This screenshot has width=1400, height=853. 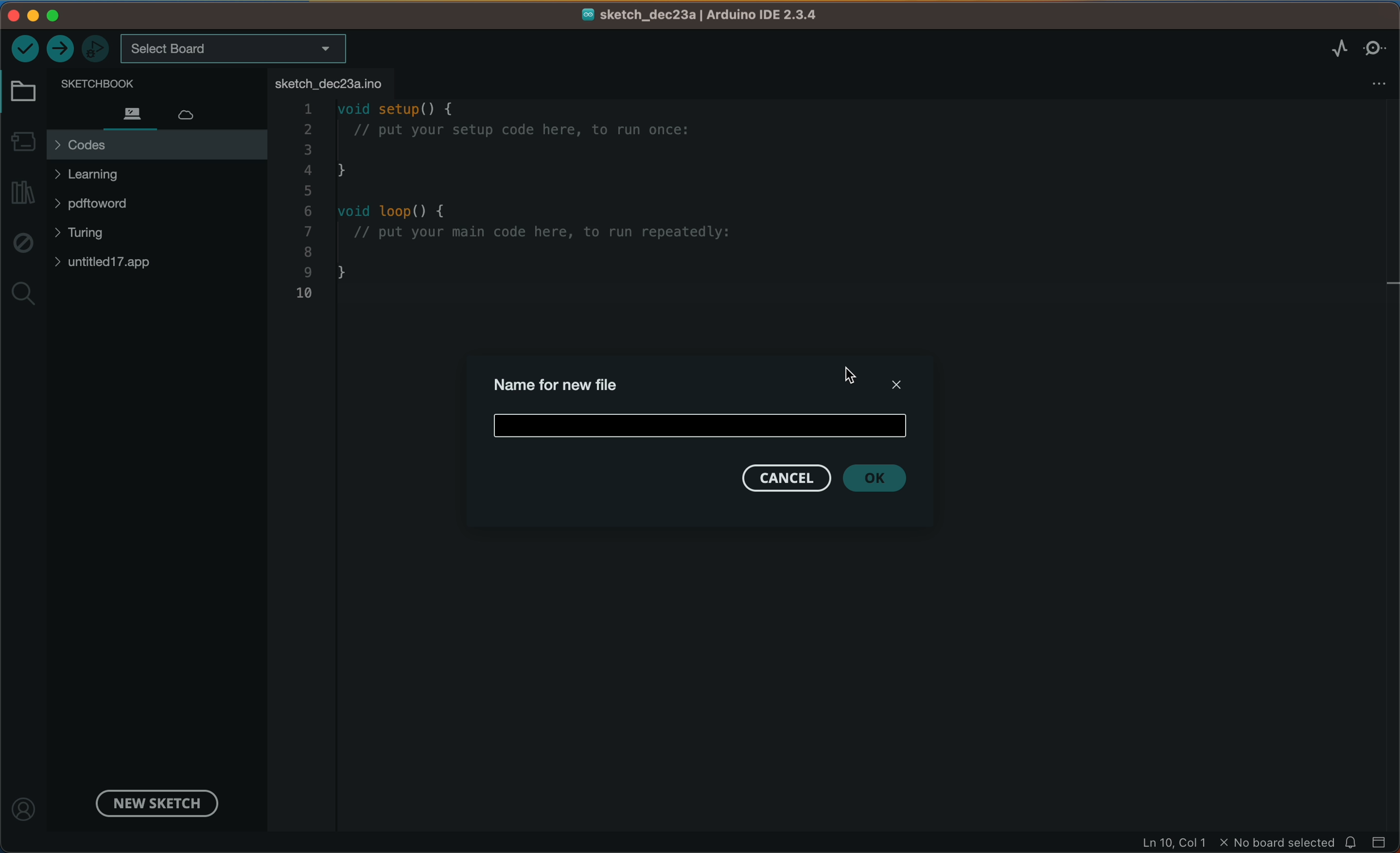 I want to click on serial plotter, so click(x=1326, y=48).